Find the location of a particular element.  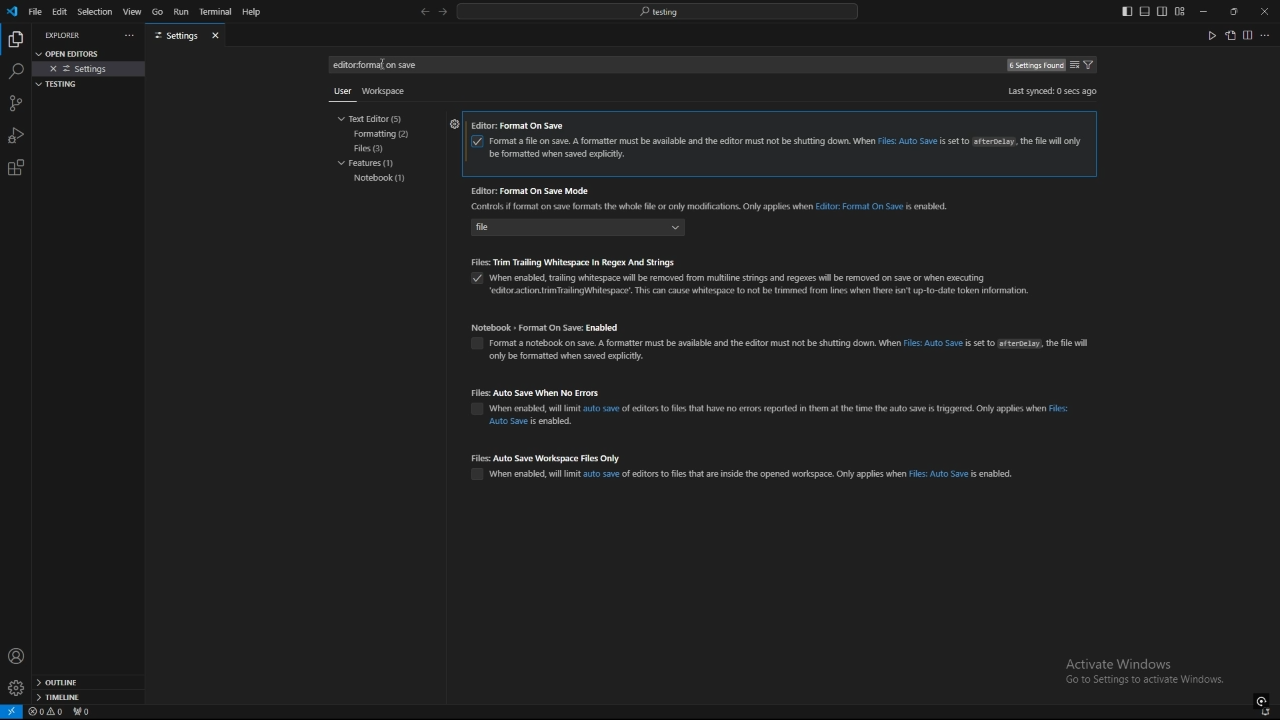

vscode is located at coordinates (11, 12).